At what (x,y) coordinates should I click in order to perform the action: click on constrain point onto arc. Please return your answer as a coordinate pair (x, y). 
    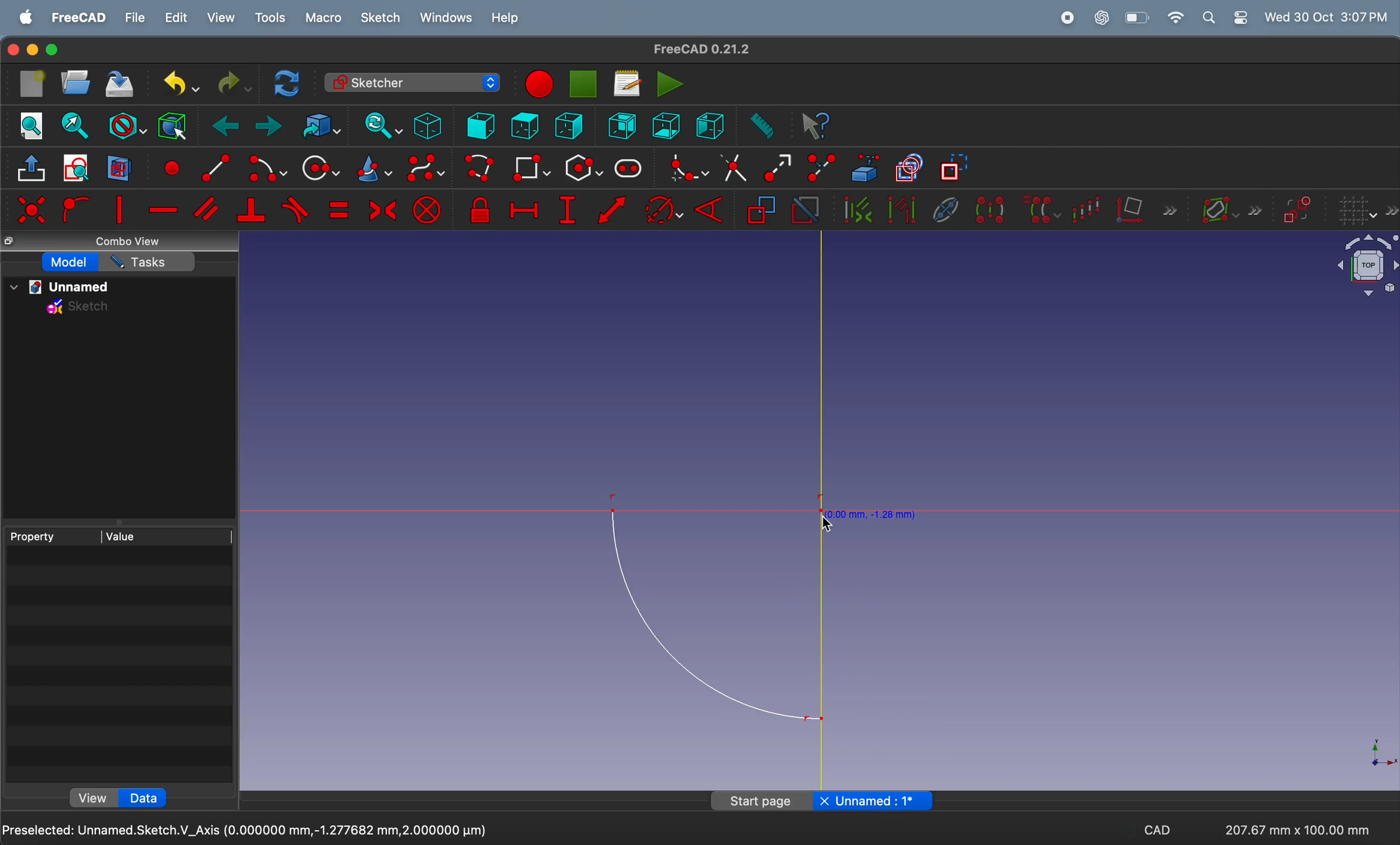
    Looking at the image, I should click on (74, 210).